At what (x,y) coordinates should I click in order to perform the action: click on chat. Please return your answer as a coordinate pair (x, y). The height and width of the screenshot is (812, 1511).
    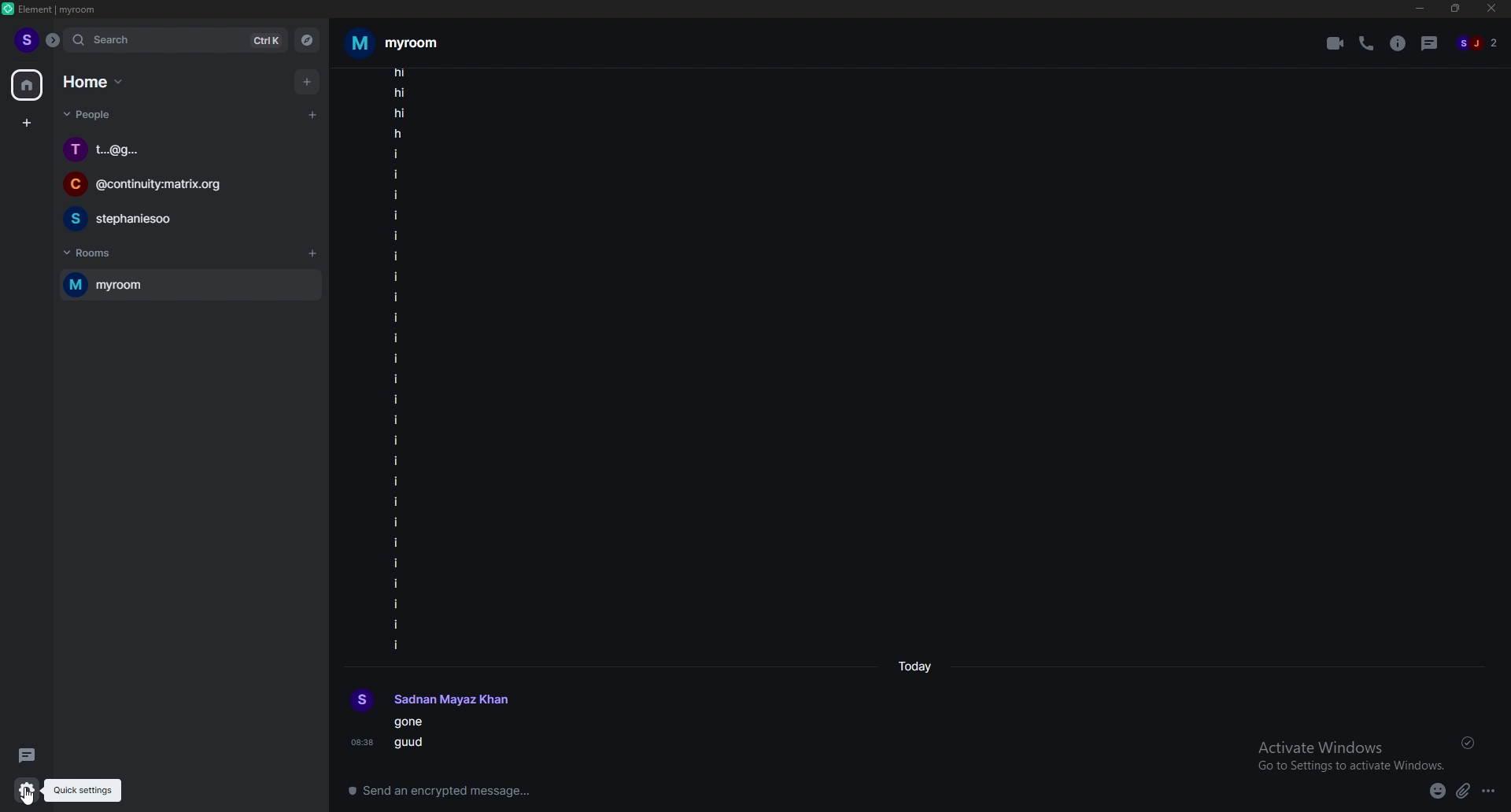
    Looking at the image, I should click on (181, 186).